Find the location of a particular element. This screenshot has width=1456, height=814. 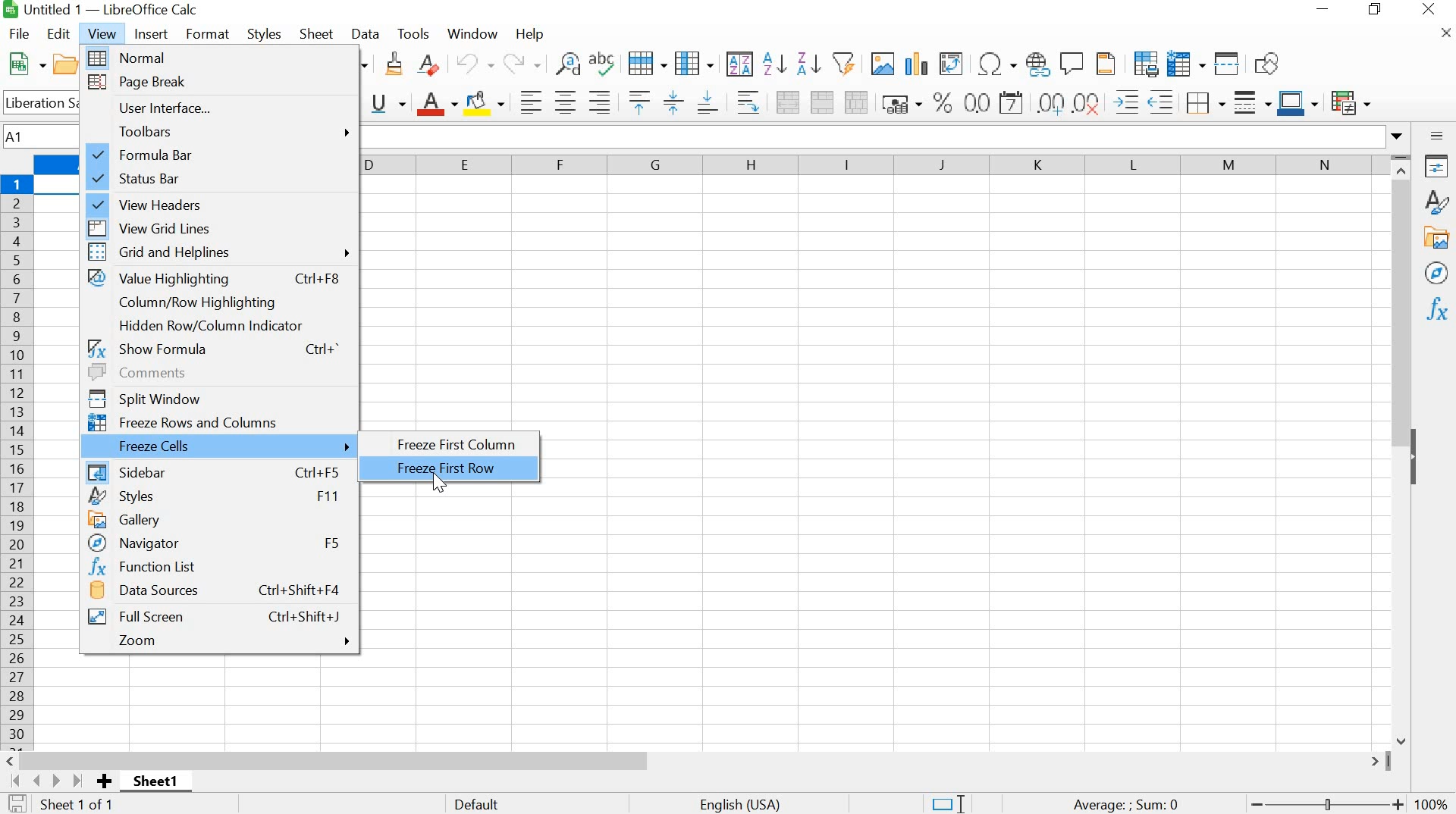

FULL SCREEN is located at coordinates (215, 615).